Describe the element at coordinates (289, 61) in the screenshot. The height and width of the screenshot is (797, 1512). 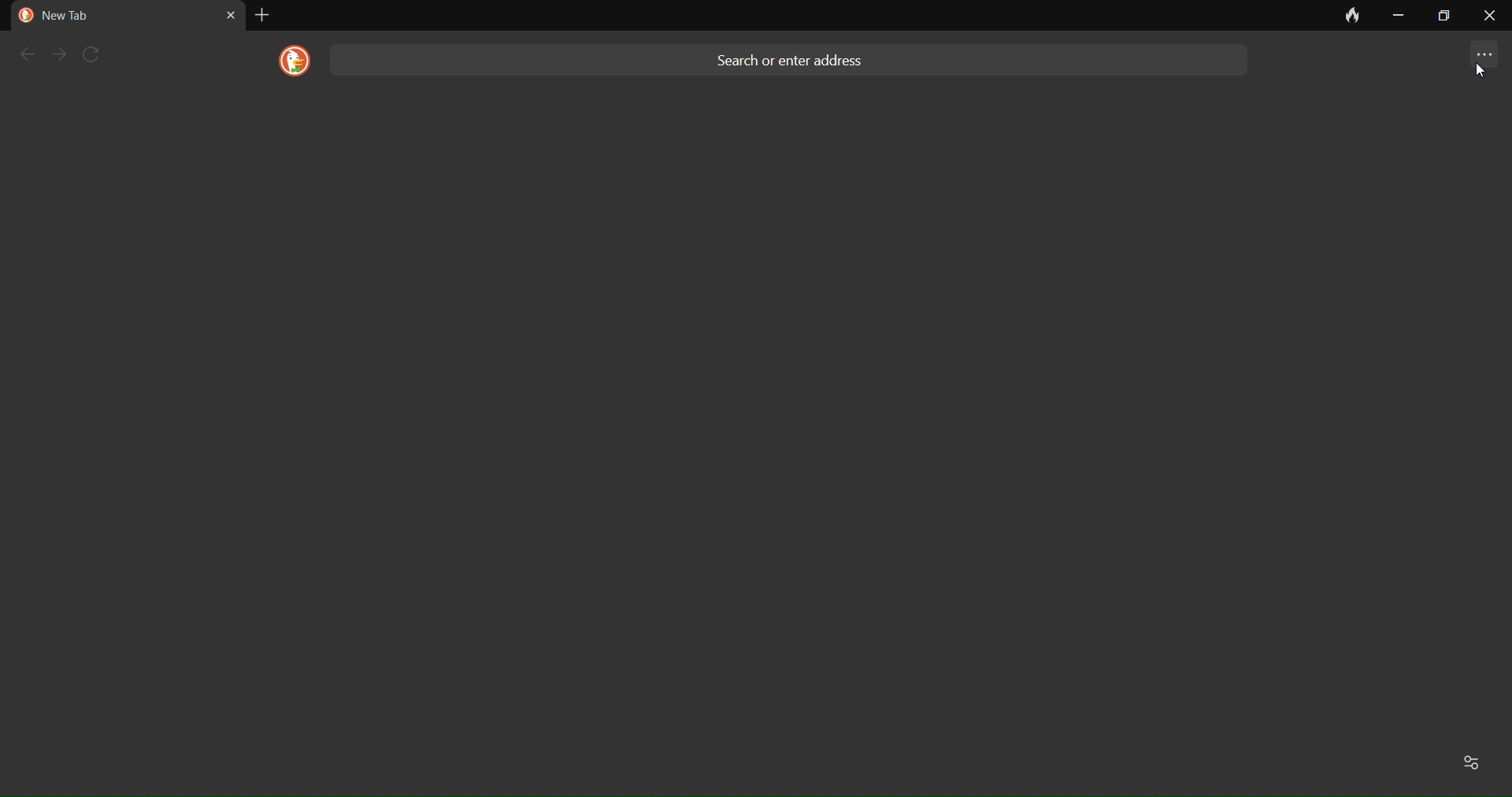
I see `logo` at that location.